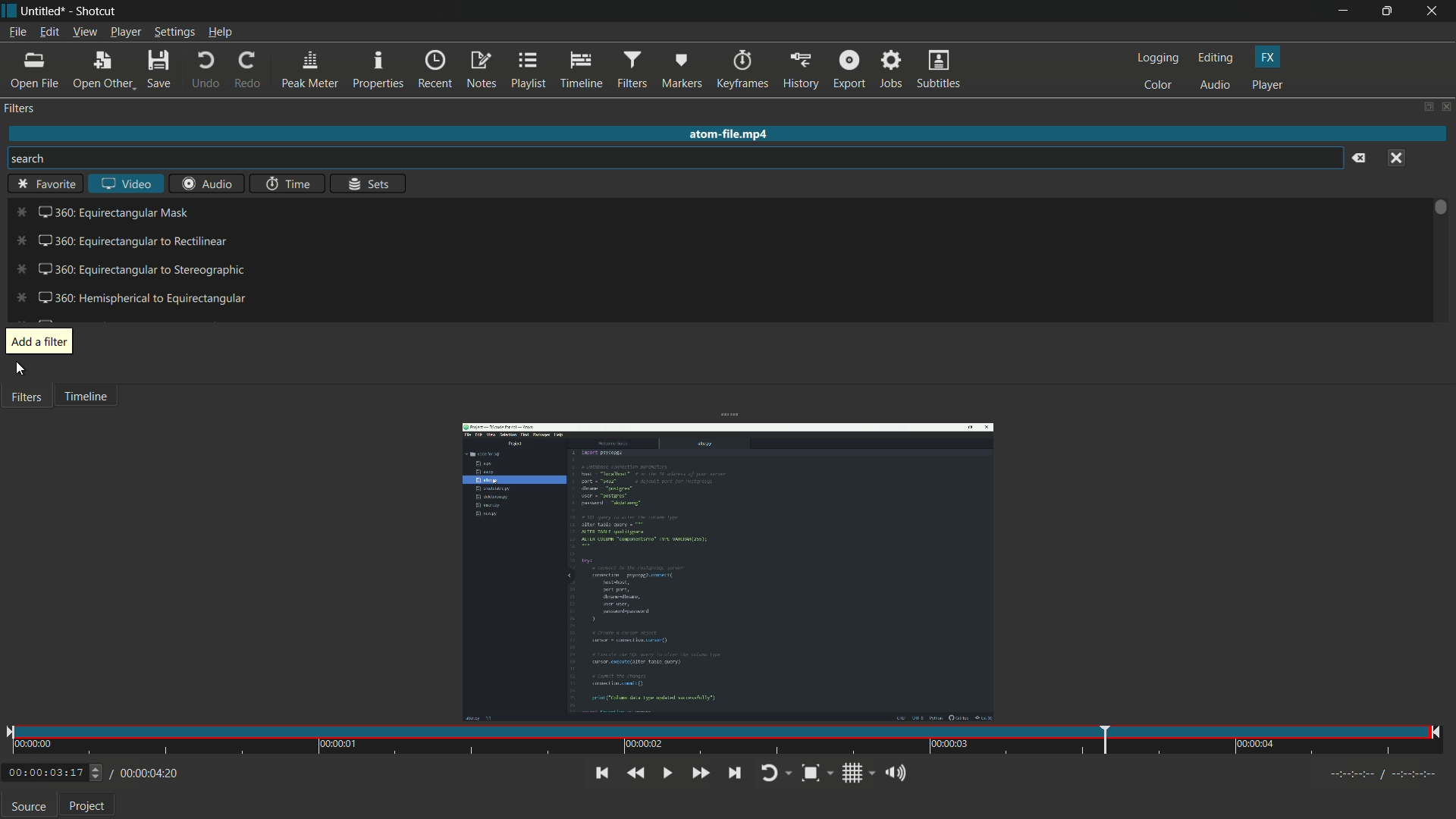 The image size is (1456, 819). What do you see at coordinates (377, 71) in the screenshot?
I see `properties` at bounding box center [377, 71].